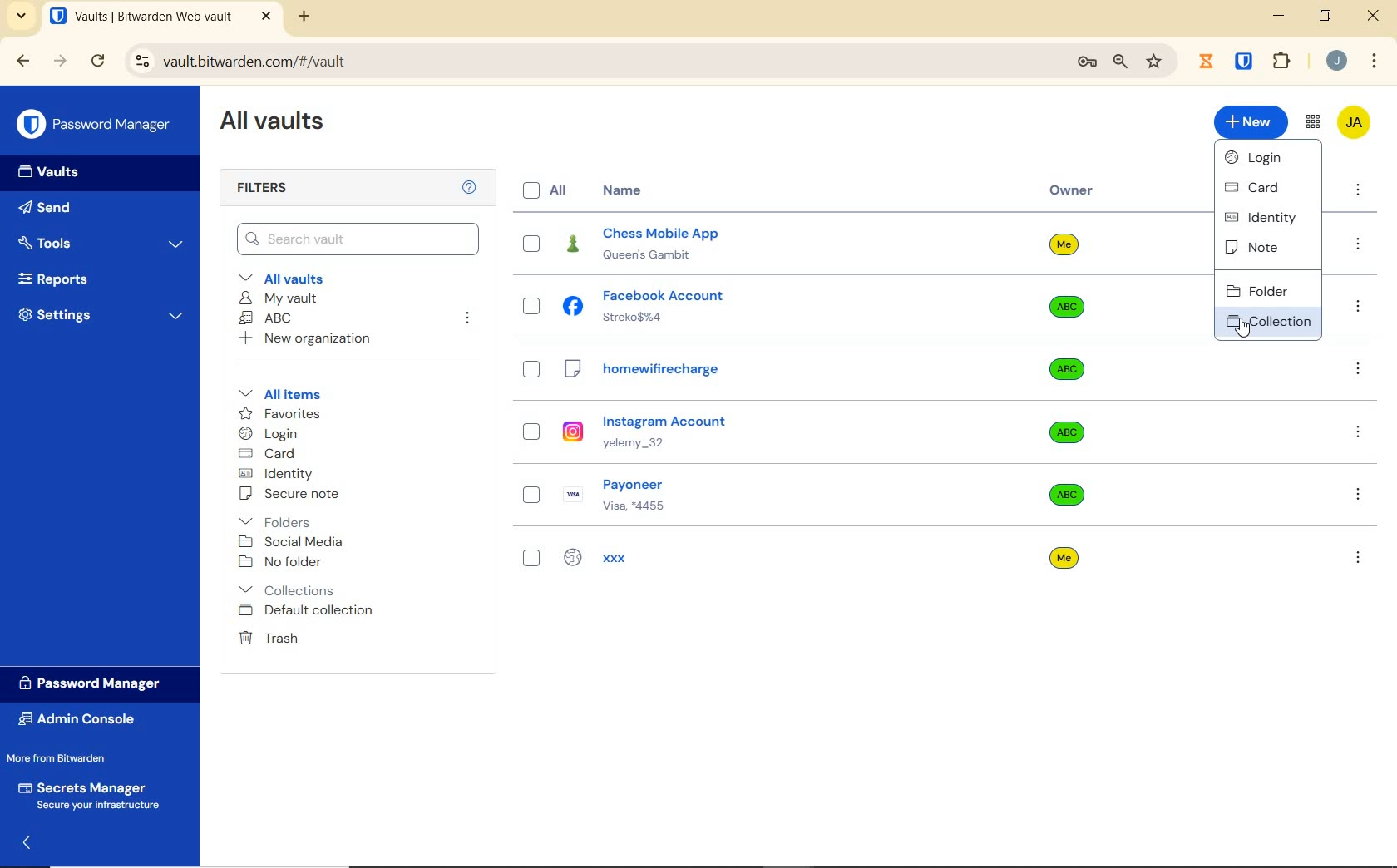  I want to click on owner, so click(1072, 192).